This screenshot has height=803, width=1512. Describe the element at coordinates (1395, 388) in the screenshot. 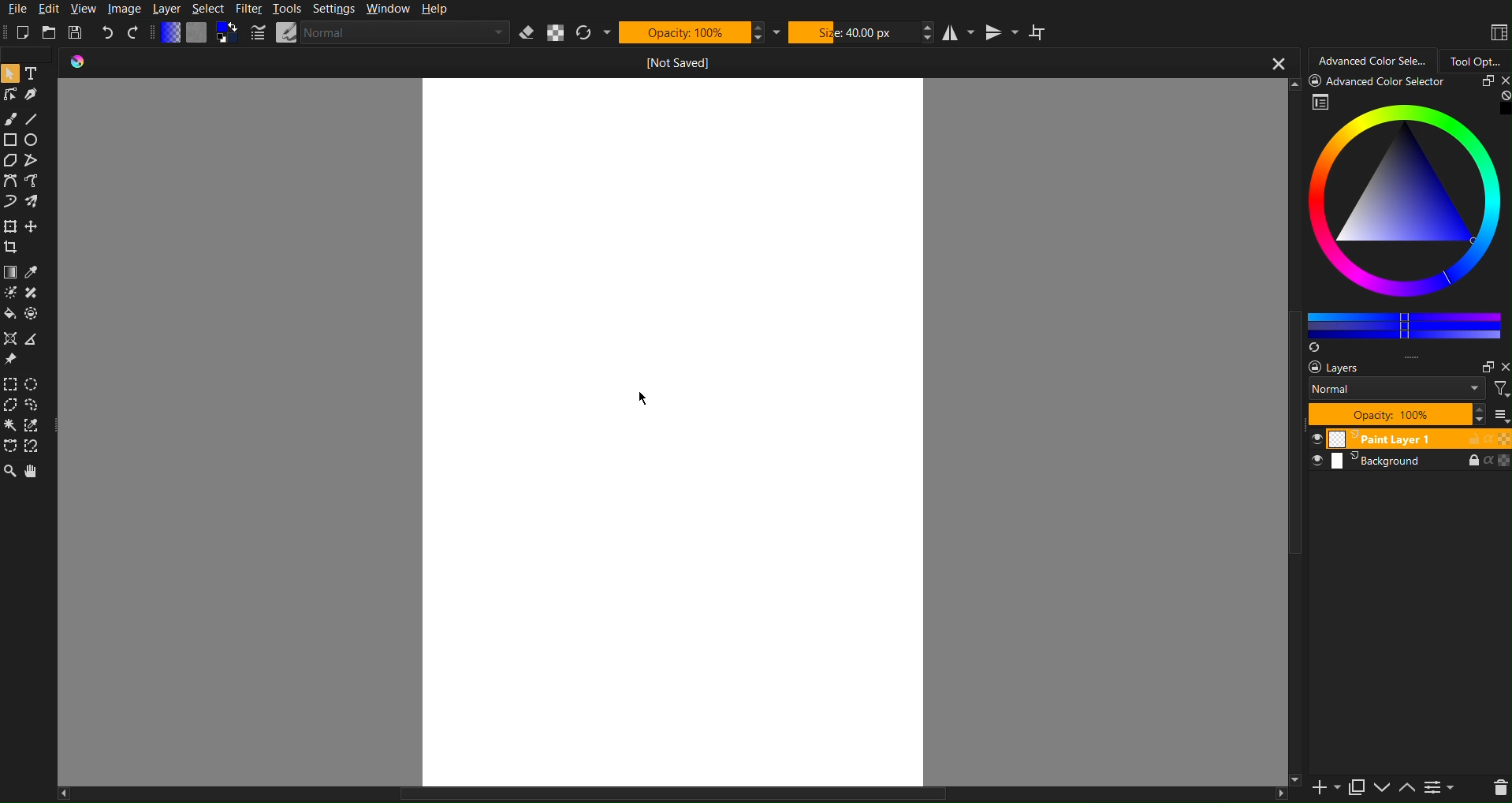

I see `normal` at that location.